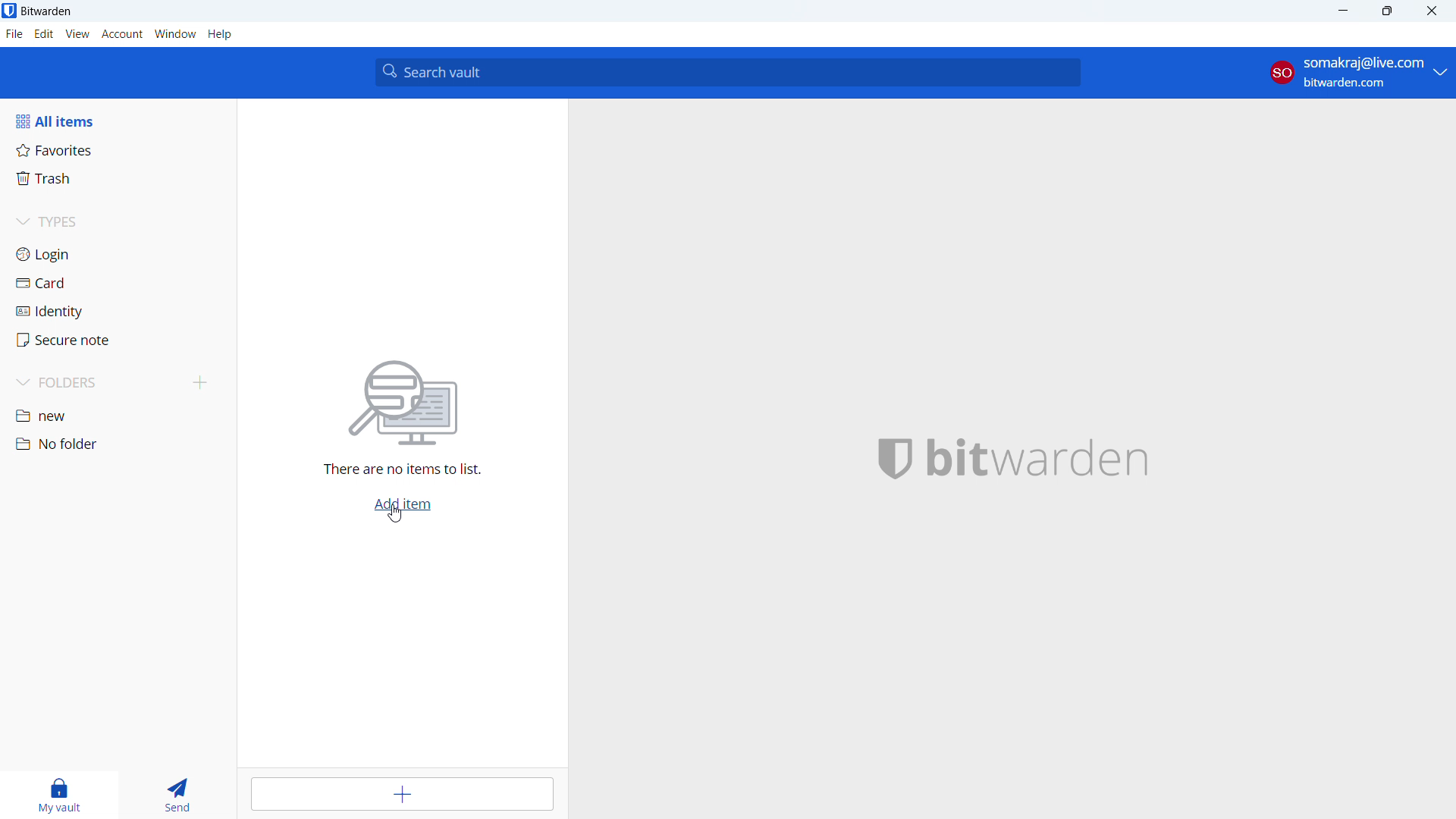  I want to click on bitwarden logo, so click(890, 462).